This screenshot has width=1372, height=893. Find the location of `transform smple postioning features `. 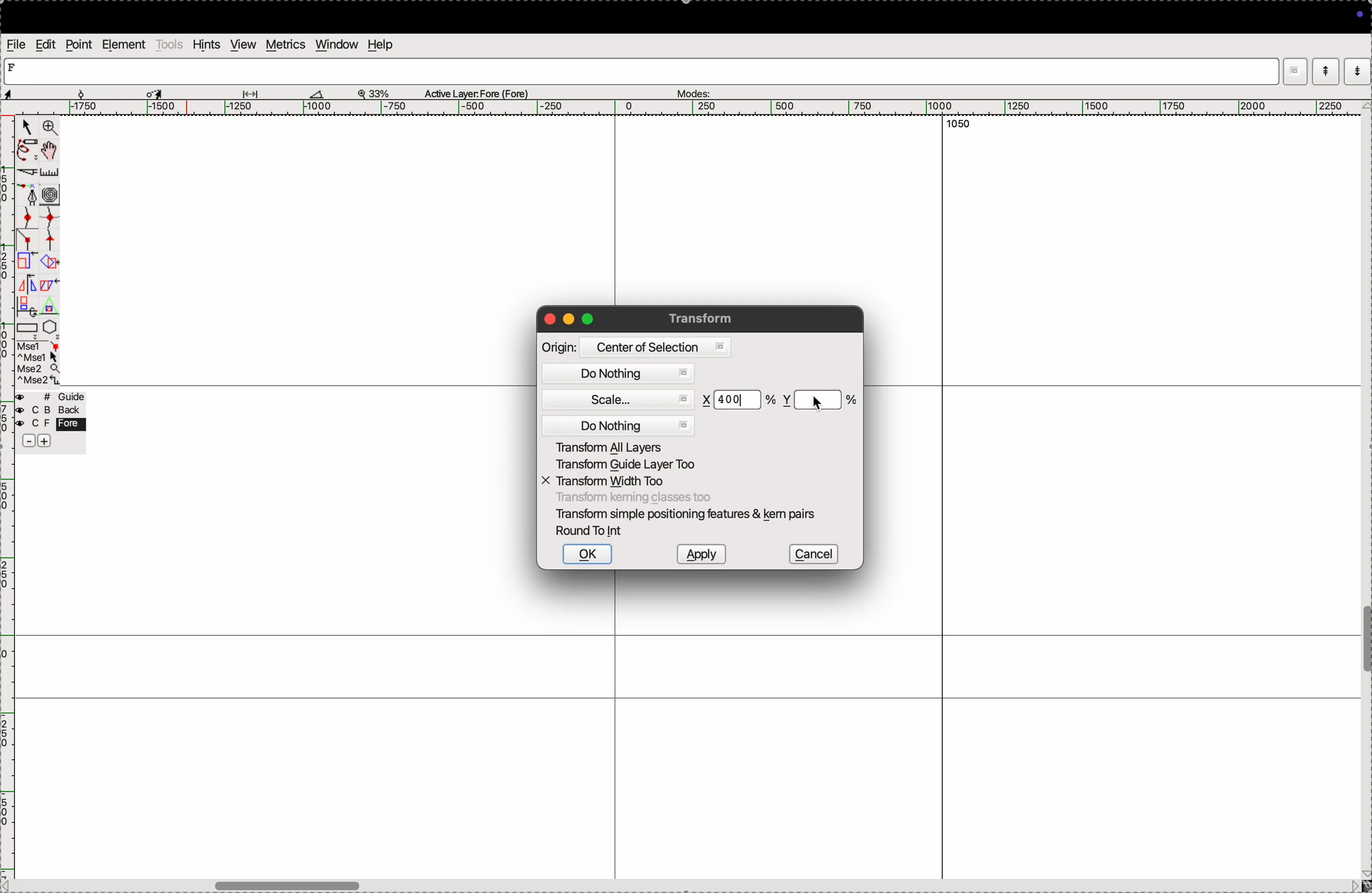

transform smple postioning features  is located at coordinates (689, 514).